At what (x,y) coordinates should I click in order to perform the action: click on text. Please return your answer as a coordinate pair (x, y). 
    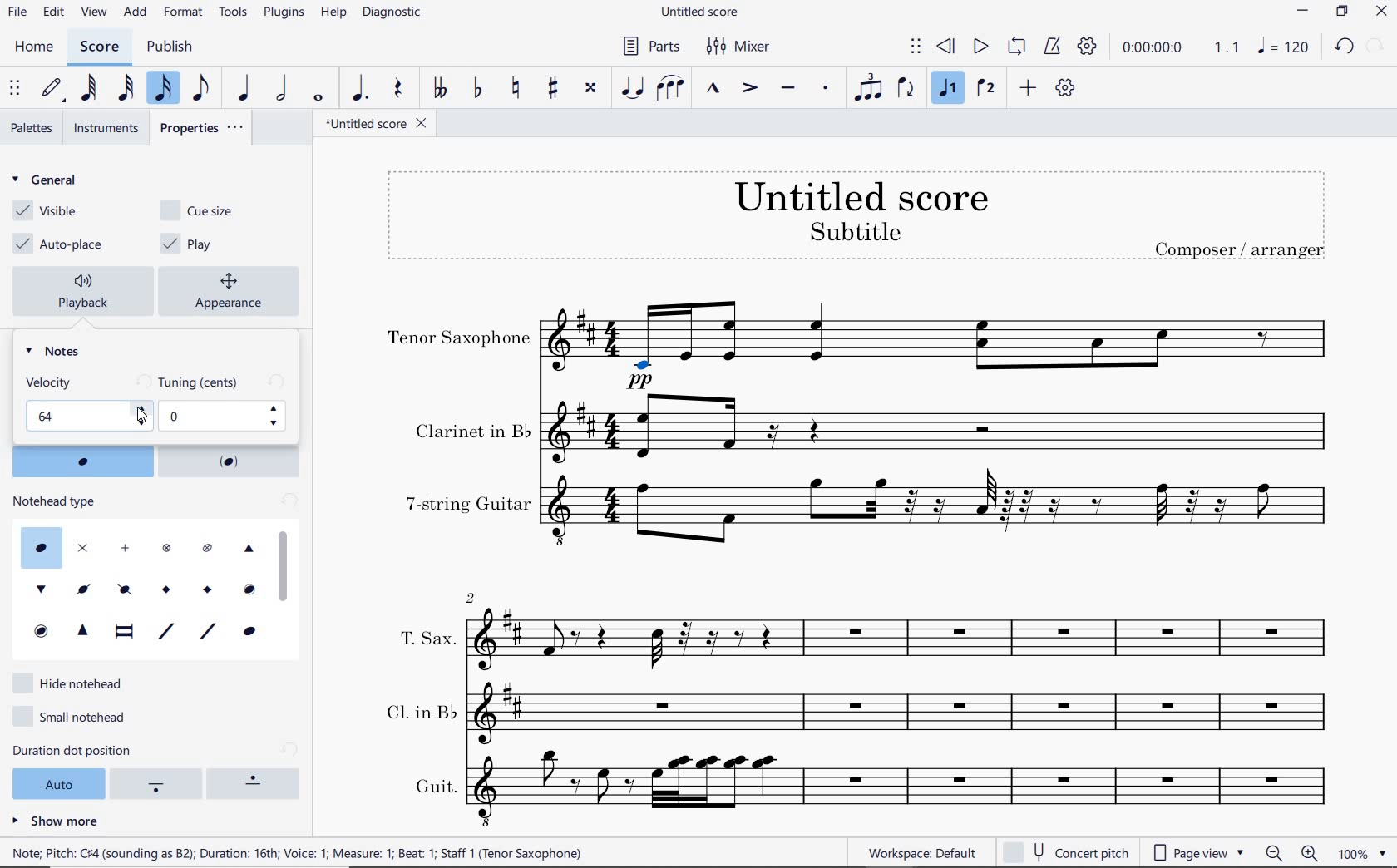
    Looking at the image, I should click on (426, 638).